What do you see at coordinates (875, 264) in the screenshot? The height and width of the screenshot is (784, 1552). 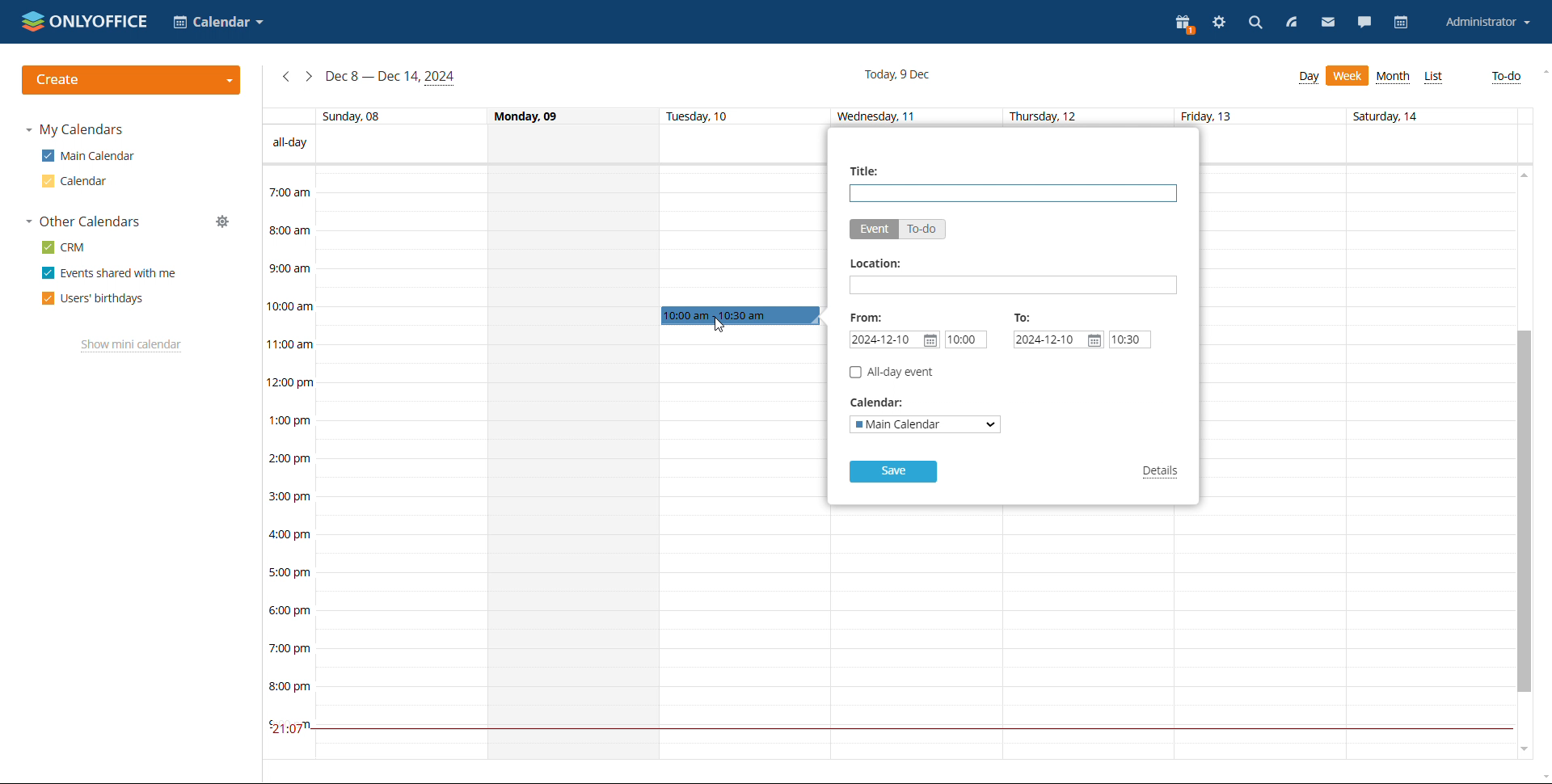 I see `Location:` at bounding box center [875, 264].